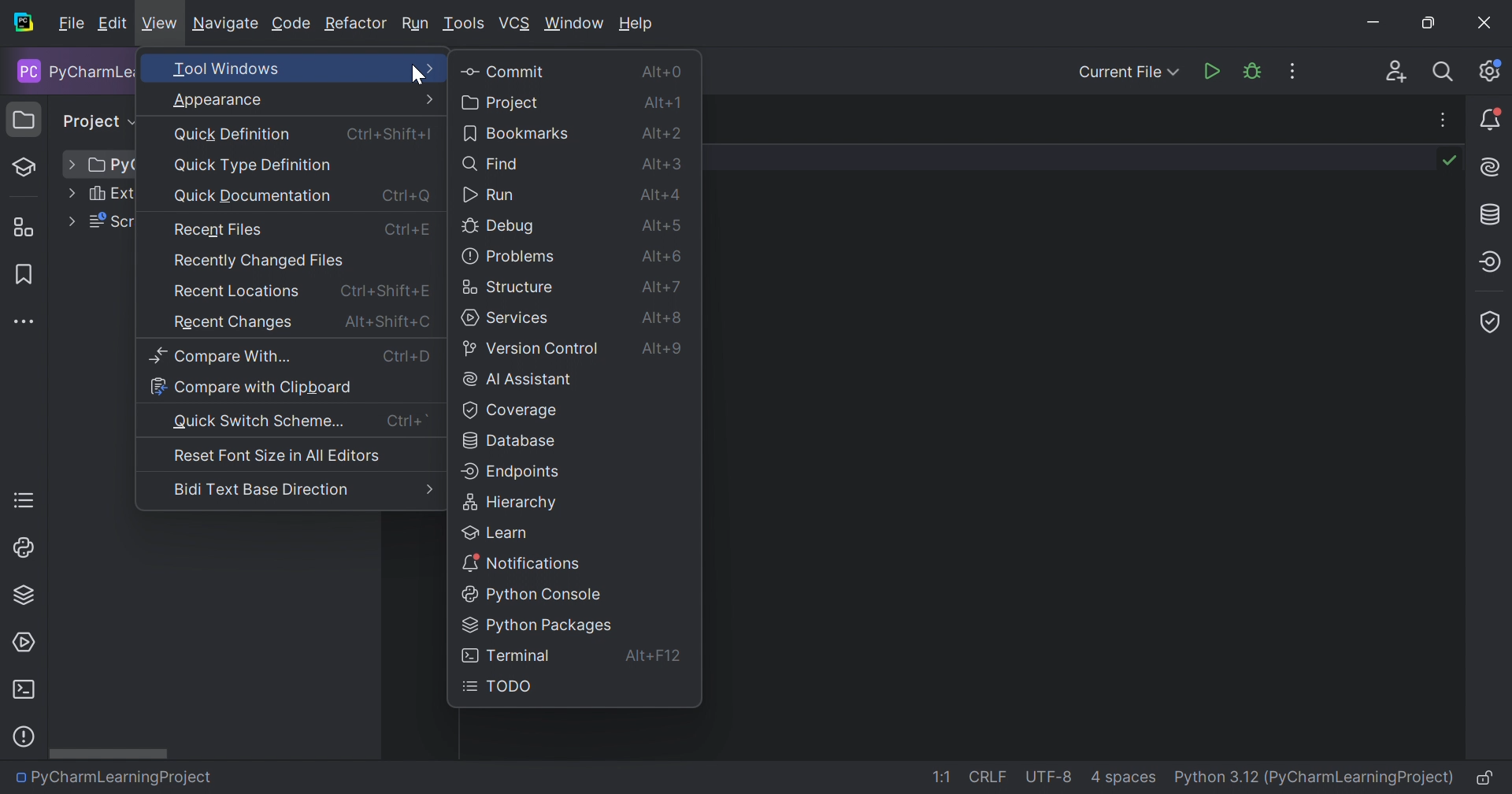 This screenshot has width=1512, height=794. I want to click on Coverage, so click(511, 408).